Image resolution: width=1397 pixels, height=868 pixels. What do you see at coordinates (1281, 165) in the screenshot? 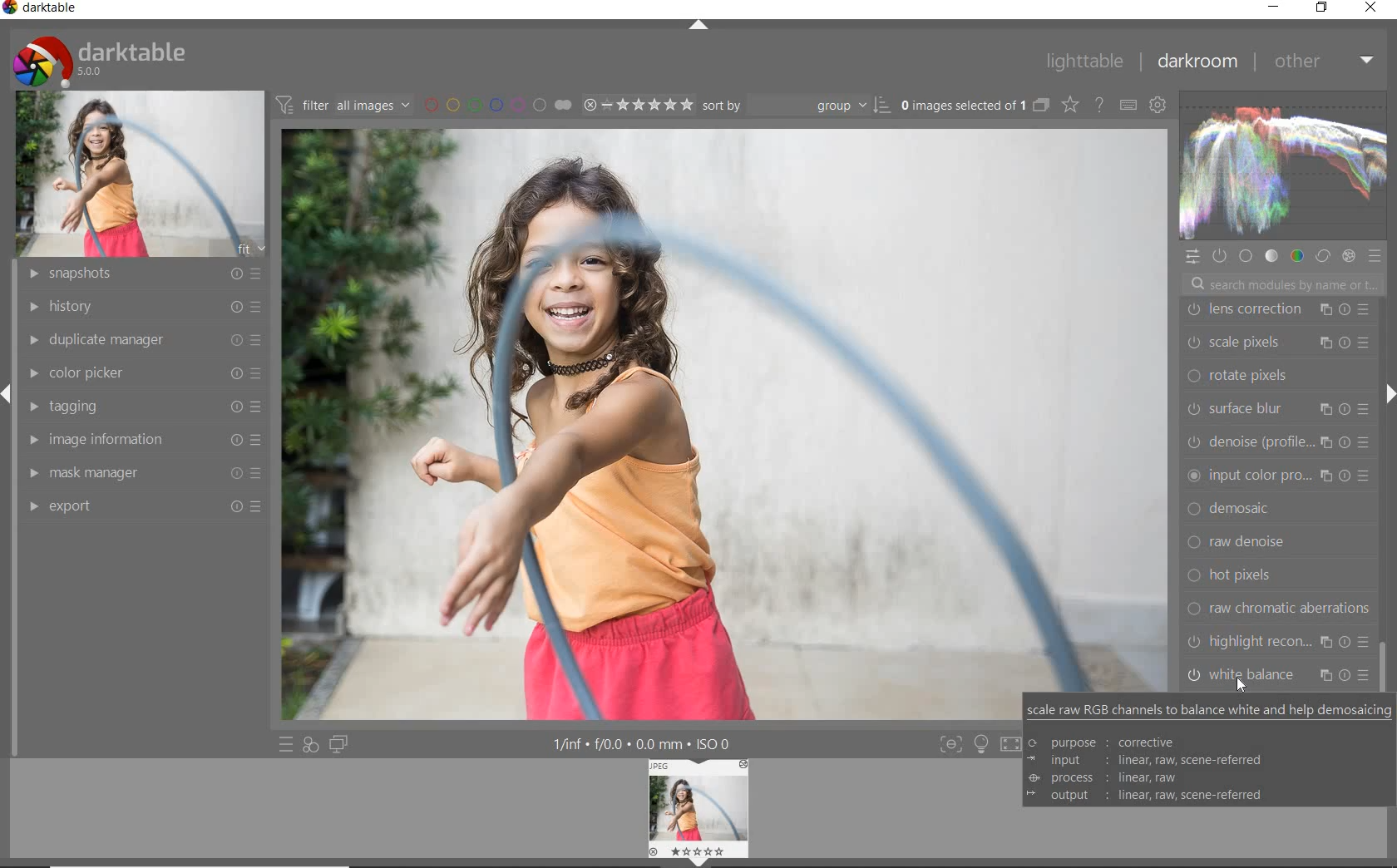
I see `waveform` at bounding box center [1281, 165].